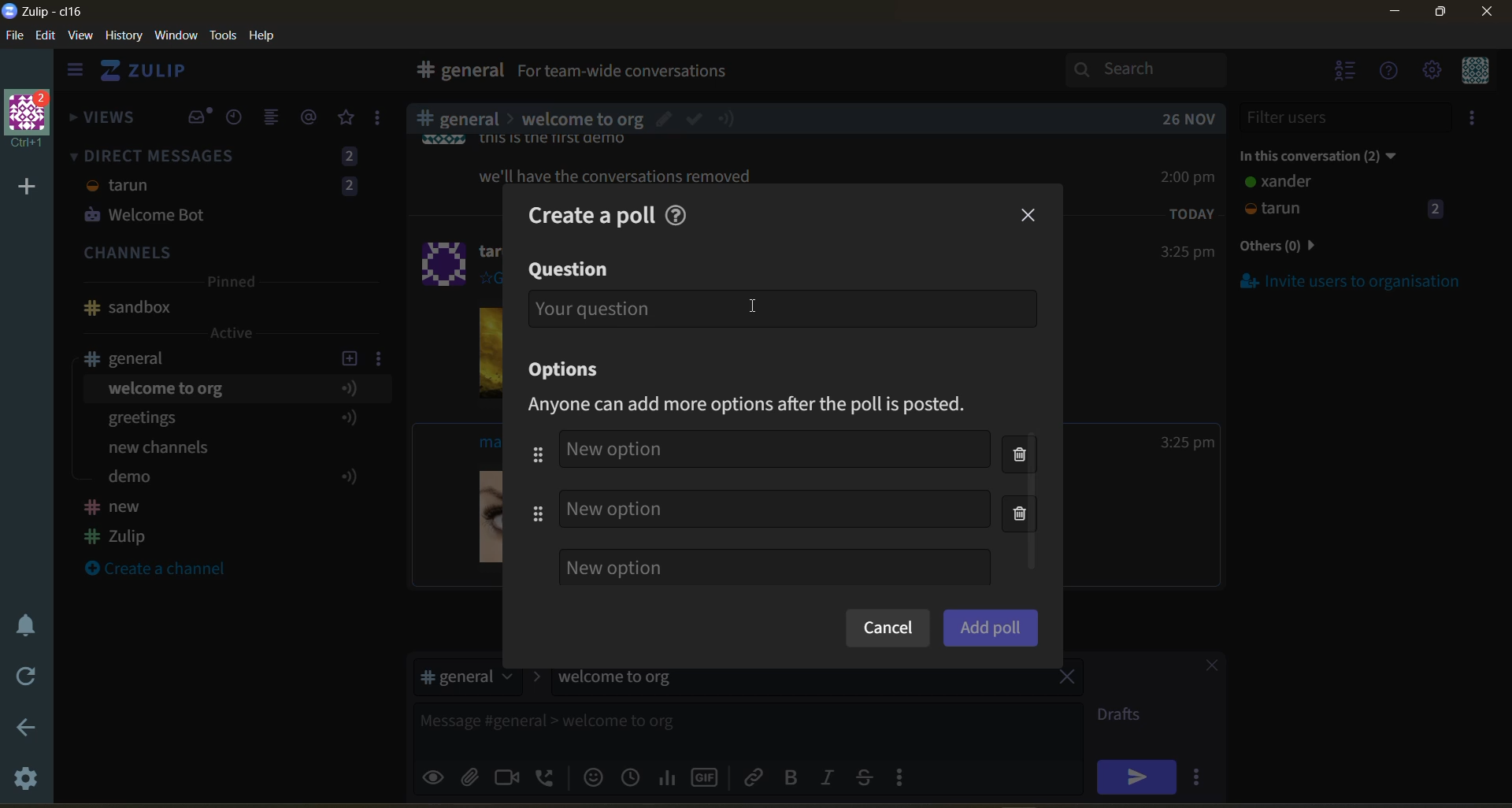 This screenshot has height=808, width=1512. What do you see at coordinates (1351, 280) in the screenshot?
I see `invite users to organisation` at bounding box center [1351, 280].